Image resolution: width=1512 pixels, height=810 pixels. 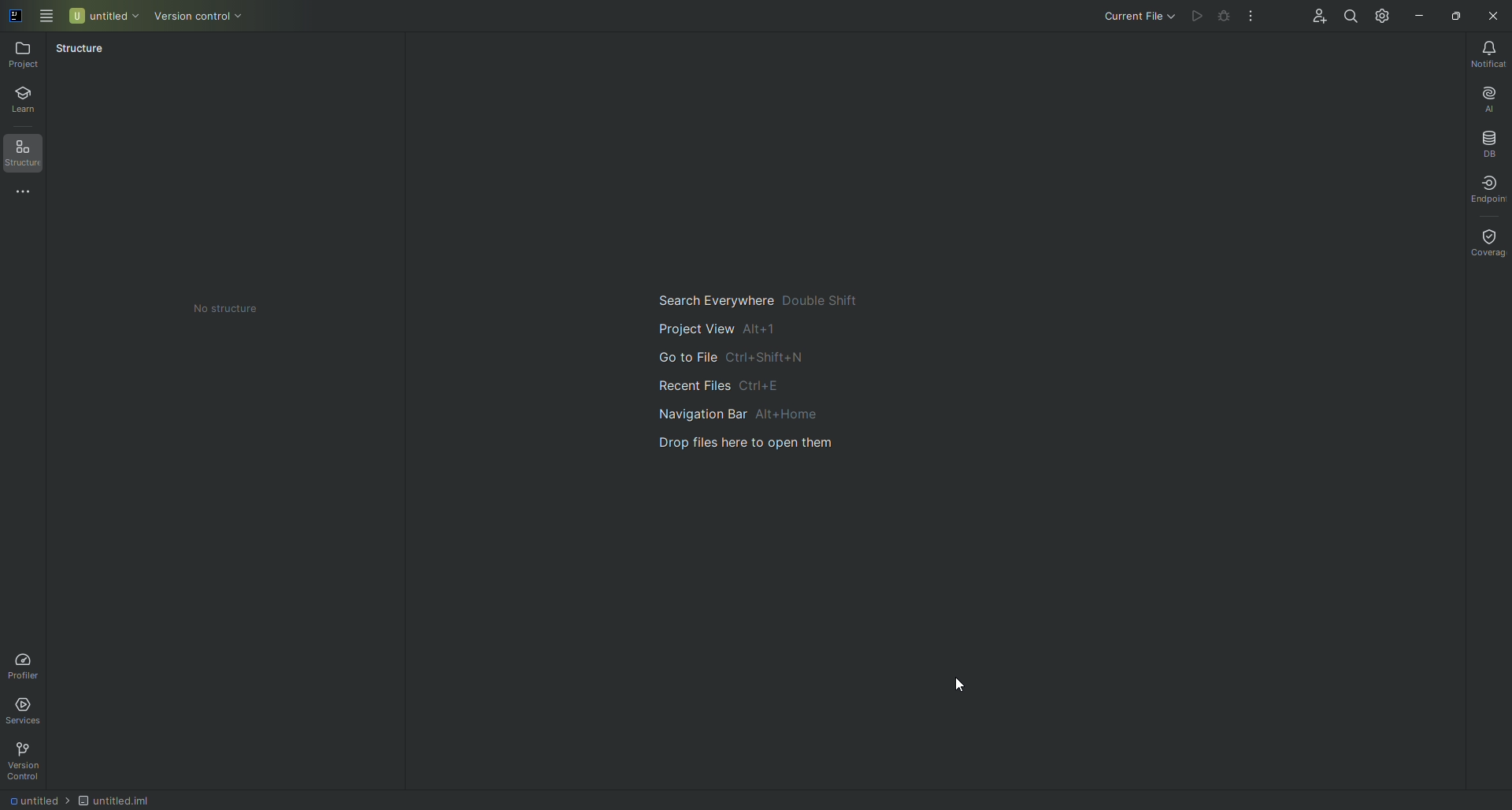 What do you see at coordinates (80, 801) in the screenshot?
I see `file path` at bounding box center [80, 801].